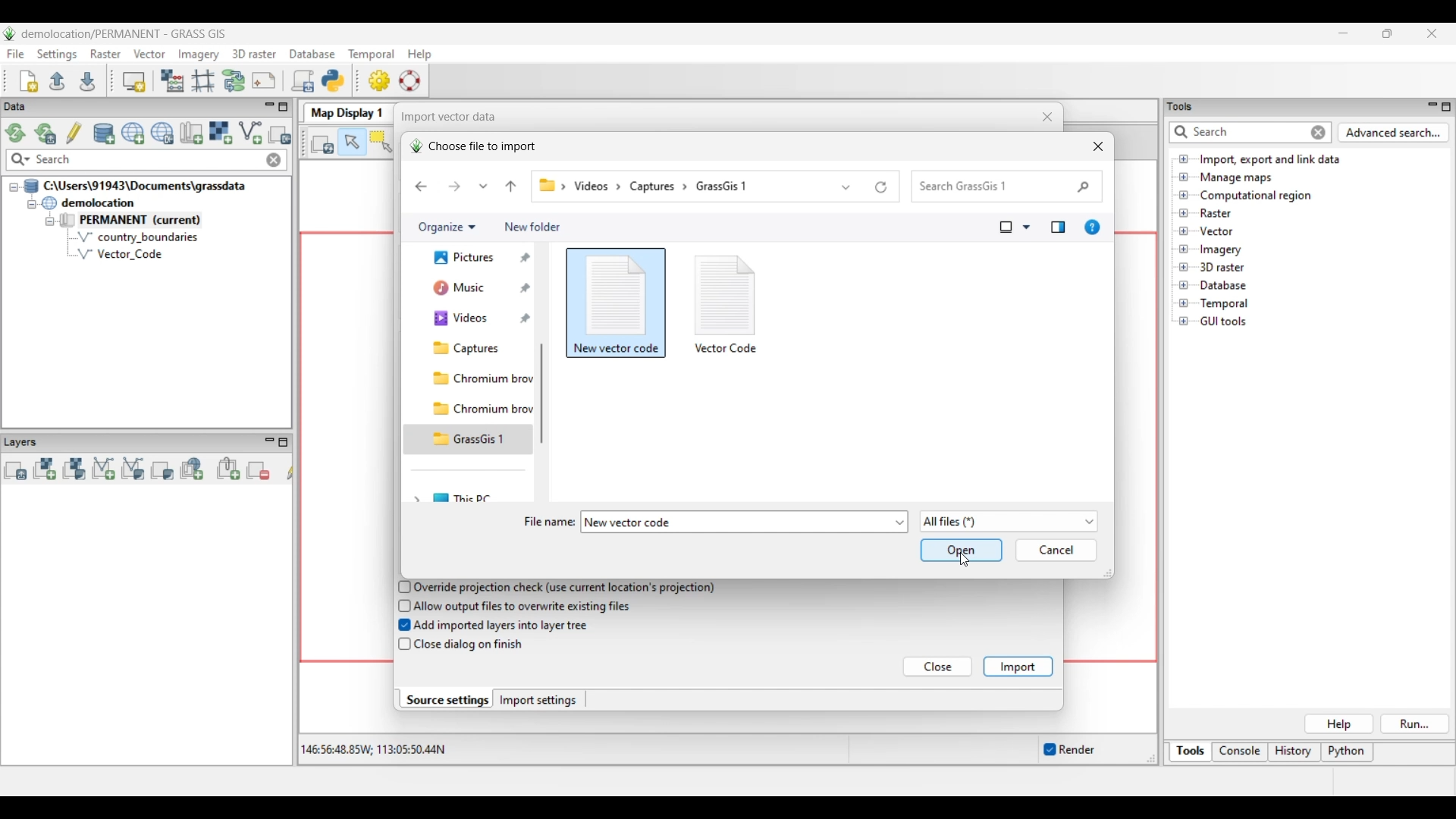  What do you see at coordinates (730, 522) in the screenshot?
I see `File name automatically mentioned` at bounding box center [730, 522].